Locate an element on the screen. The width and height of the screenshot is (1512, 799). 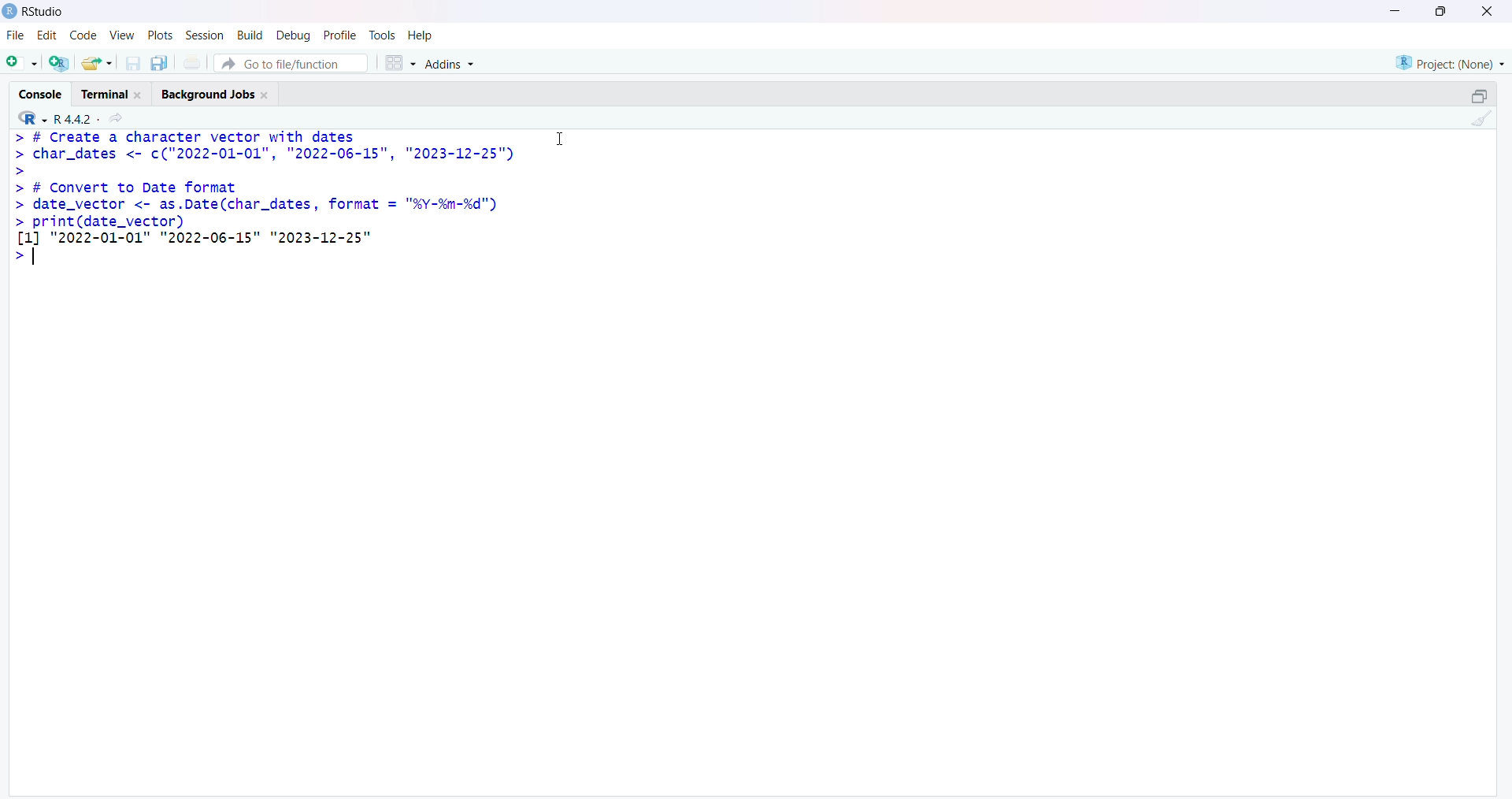
New File is located at coordinates (22, 61).